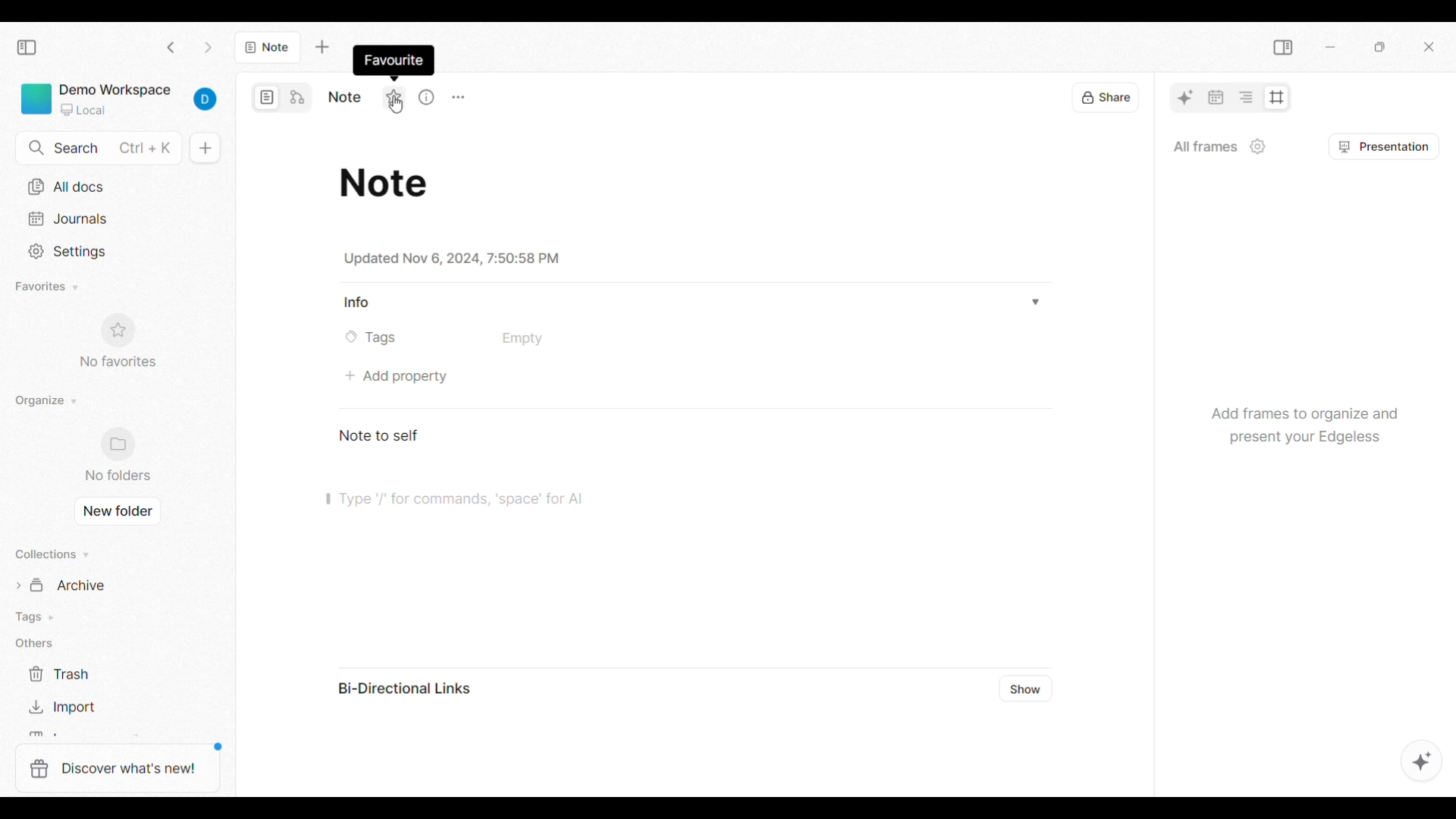 The height and width of the screenshot is (819, 1456). I want to click on Go back, so click(171, 47).